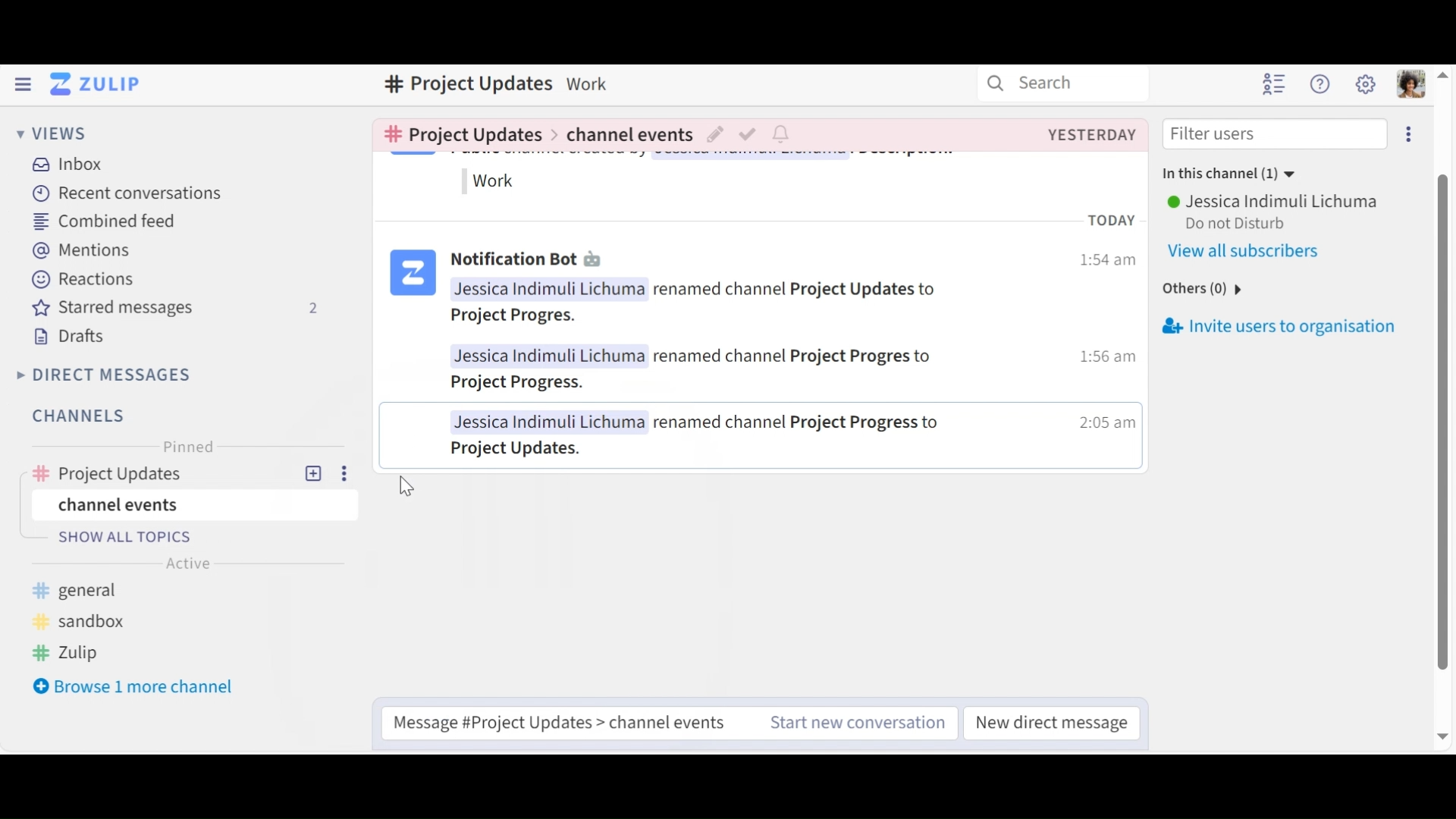 This screenshot has height=819, width=1456. What do you see at coordinates (704, 434) in the screenshot?
I see `Jessica Indimuli Lichuma renamed channel Project Progress to
Project Updates.` at bounding box center [704, 434].